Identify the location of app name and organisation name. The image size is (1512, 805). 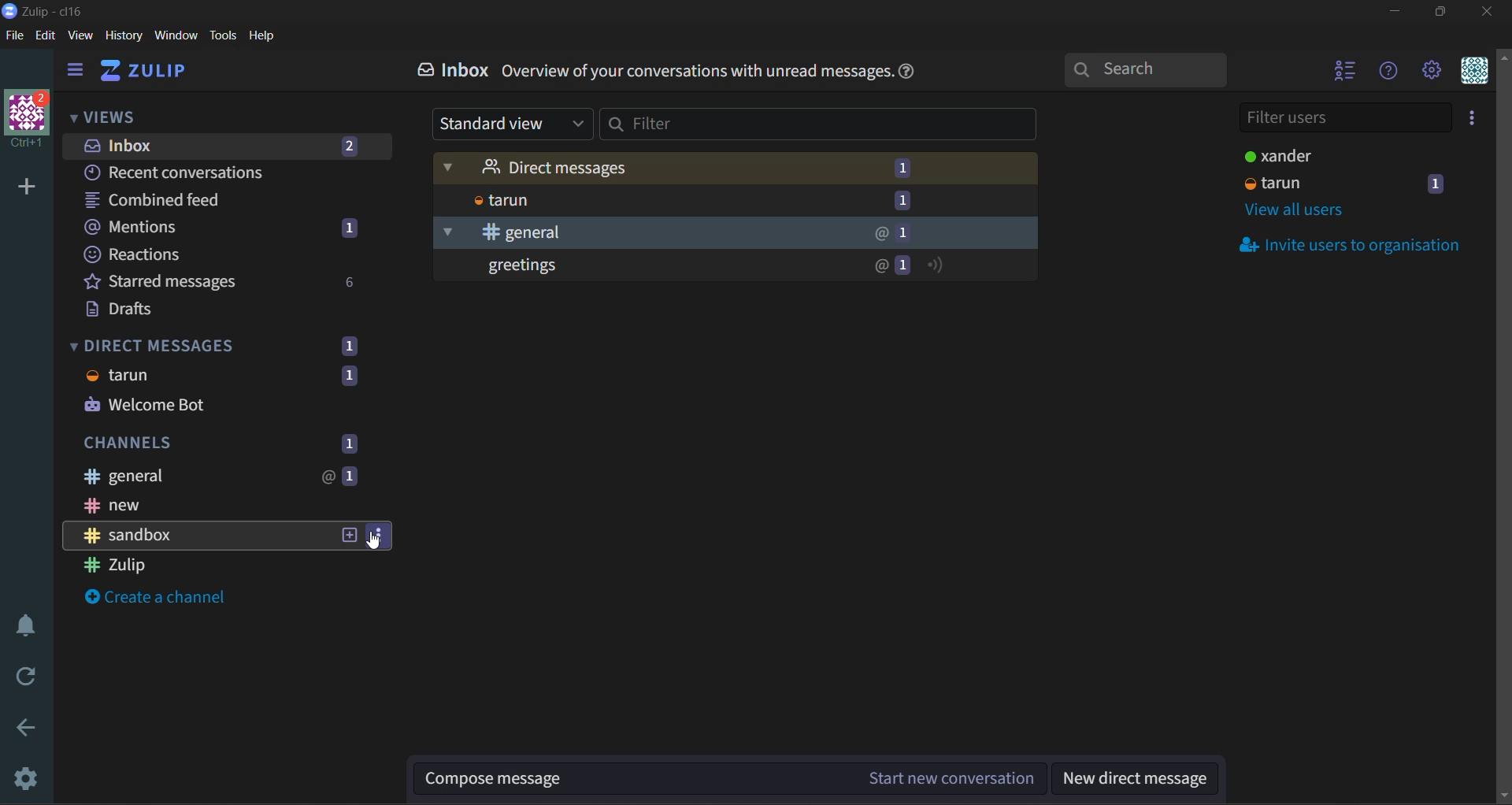
(43, 10).